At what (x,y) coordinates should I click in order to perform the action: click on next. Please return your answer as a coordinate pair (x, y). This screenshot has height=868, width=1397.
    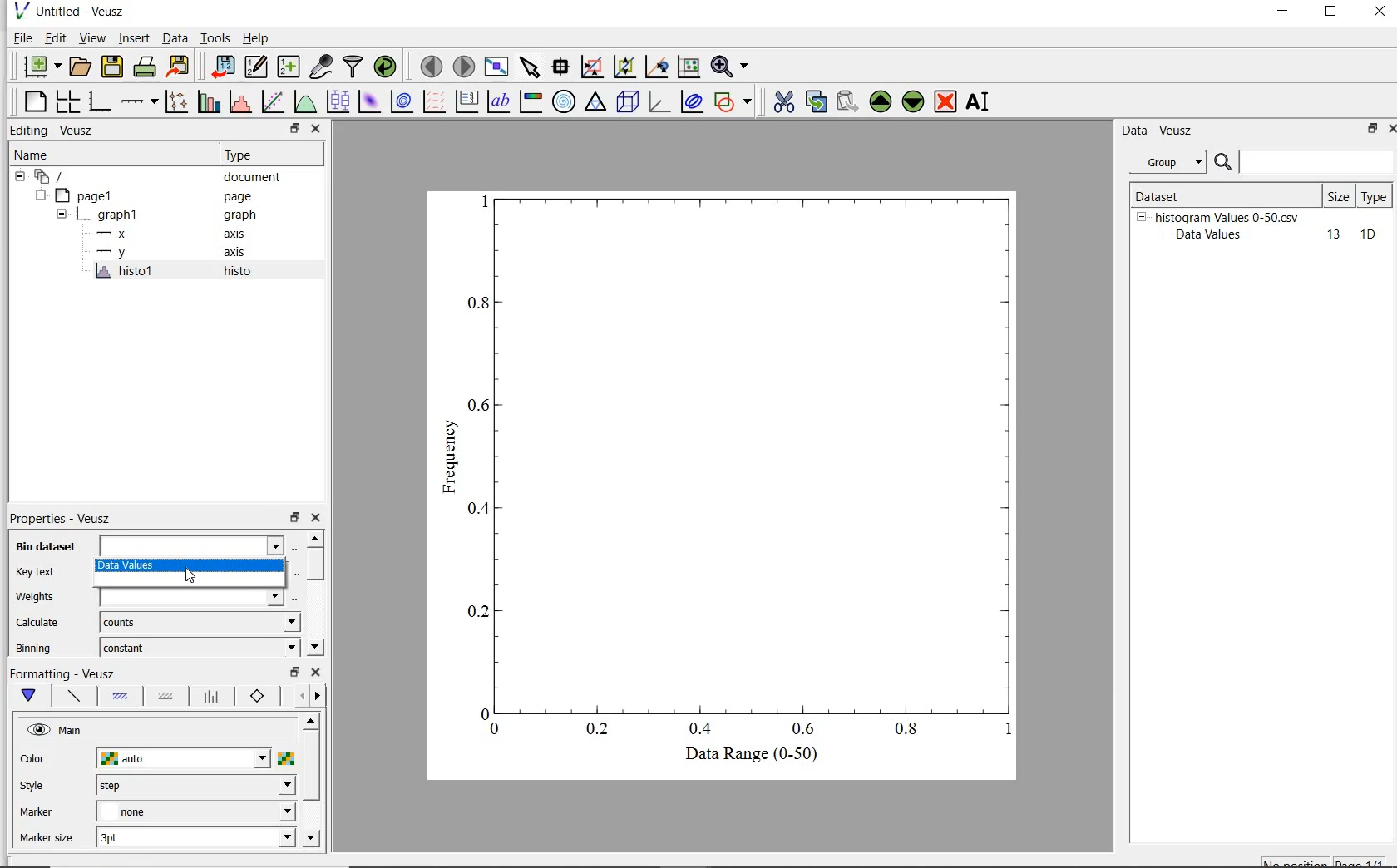
    Looking at the image, I should click on (318, 698).